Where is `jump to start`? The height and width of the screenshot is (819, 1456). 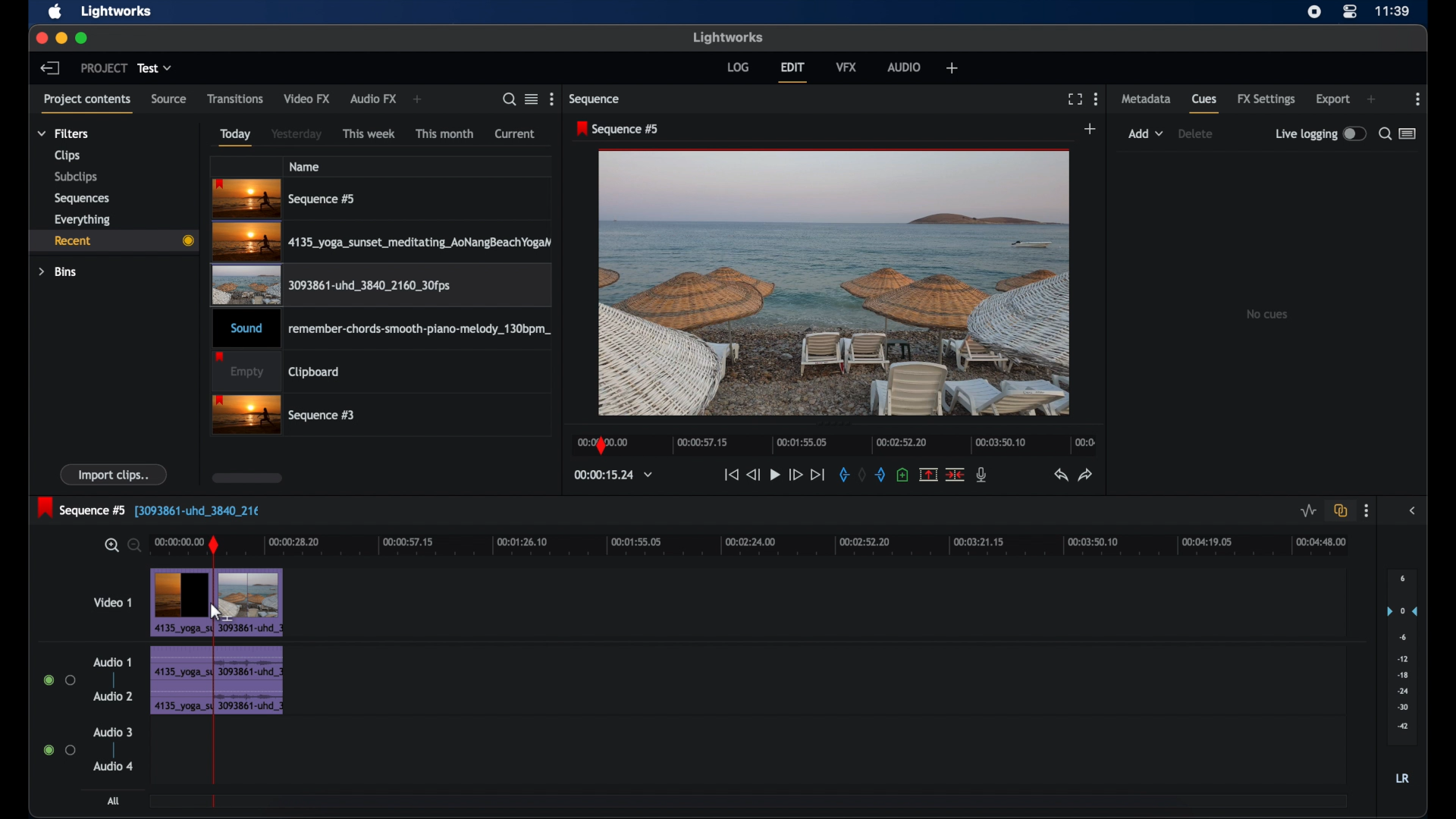 jump to start is located at coordinates (729, 474).